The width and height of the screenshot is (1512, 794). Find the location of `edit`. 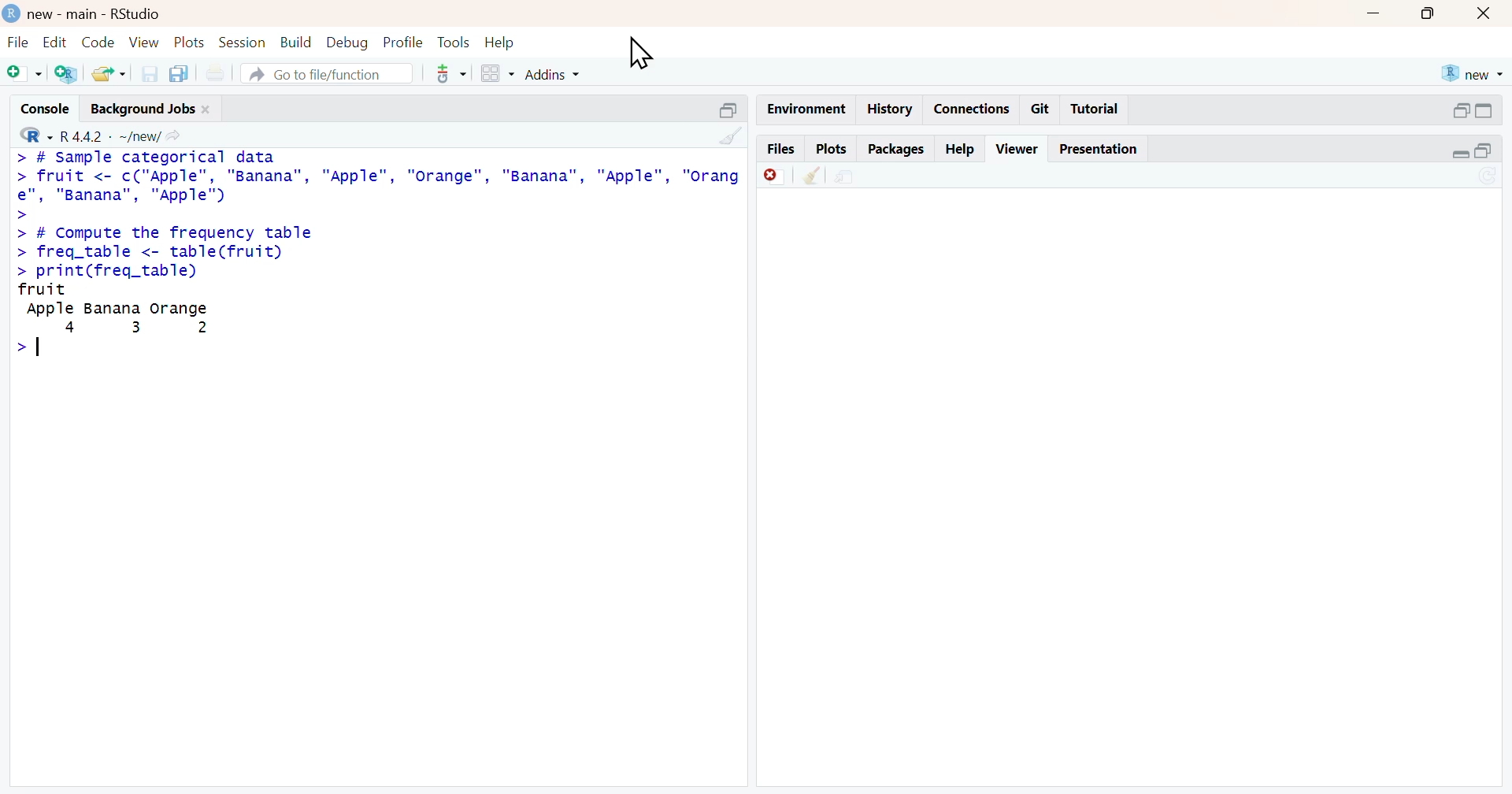

edit is located at coordinates (54, 42).